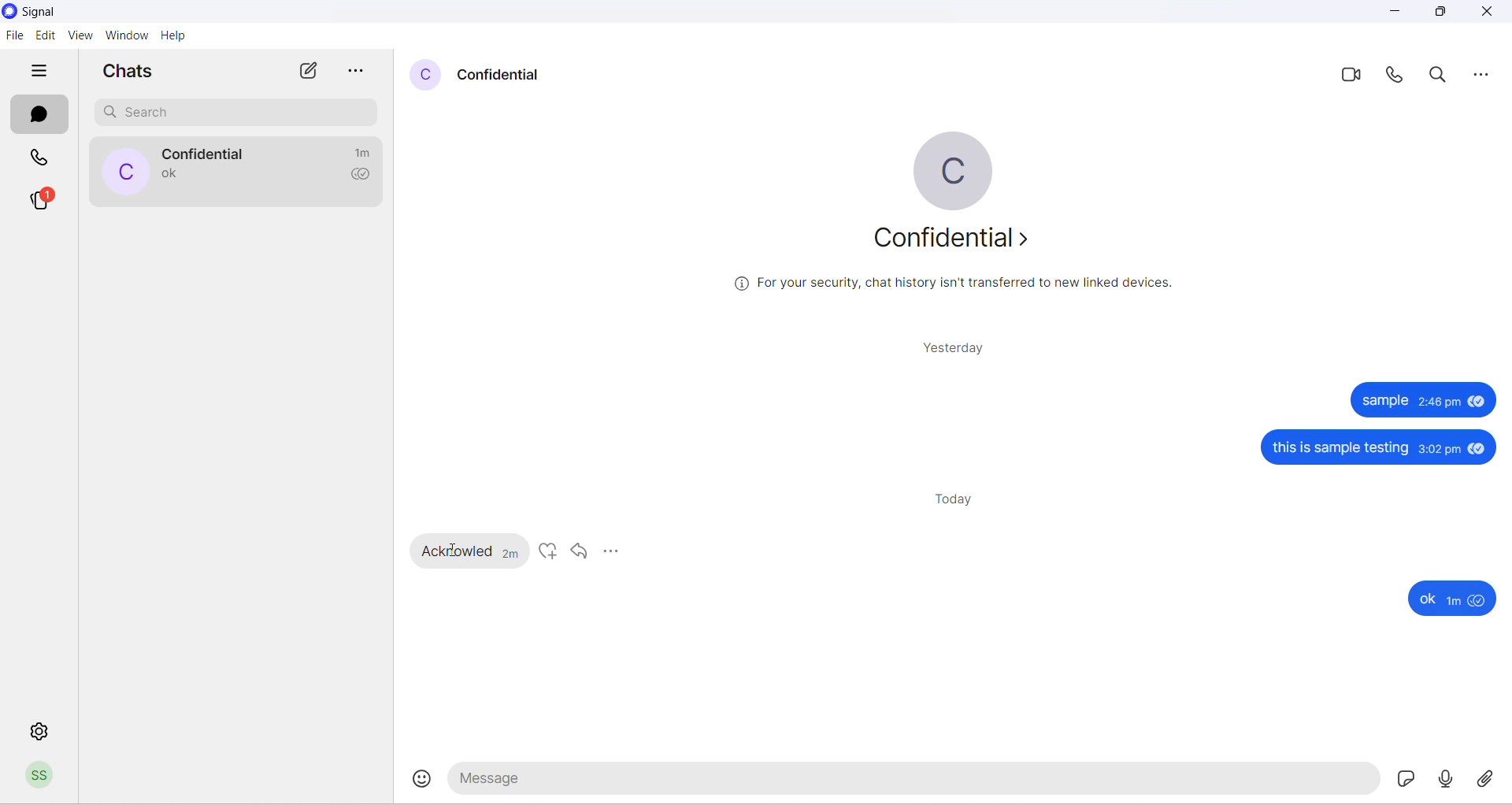  What do you see at coordinates (1445, 12) in the screenshot?
I see `maximize` at bounding box center [1445, 12].